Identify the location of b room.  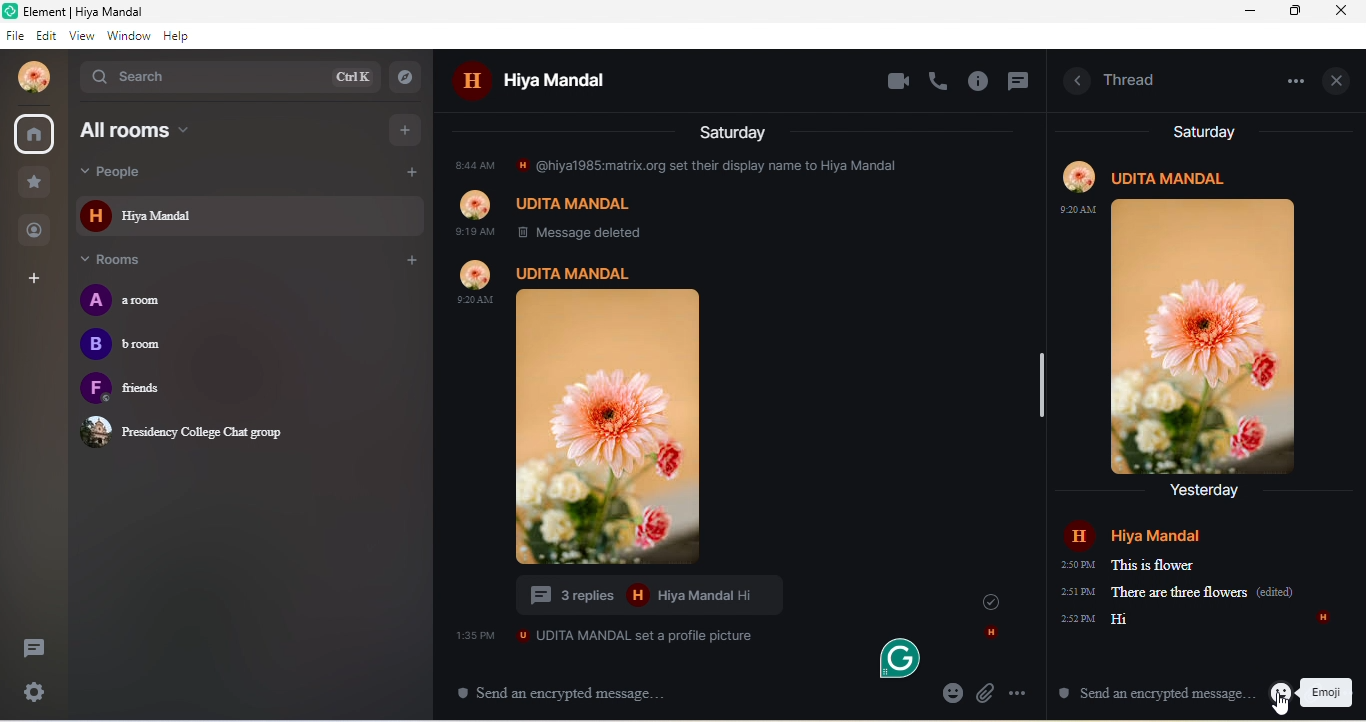
(134, 344).